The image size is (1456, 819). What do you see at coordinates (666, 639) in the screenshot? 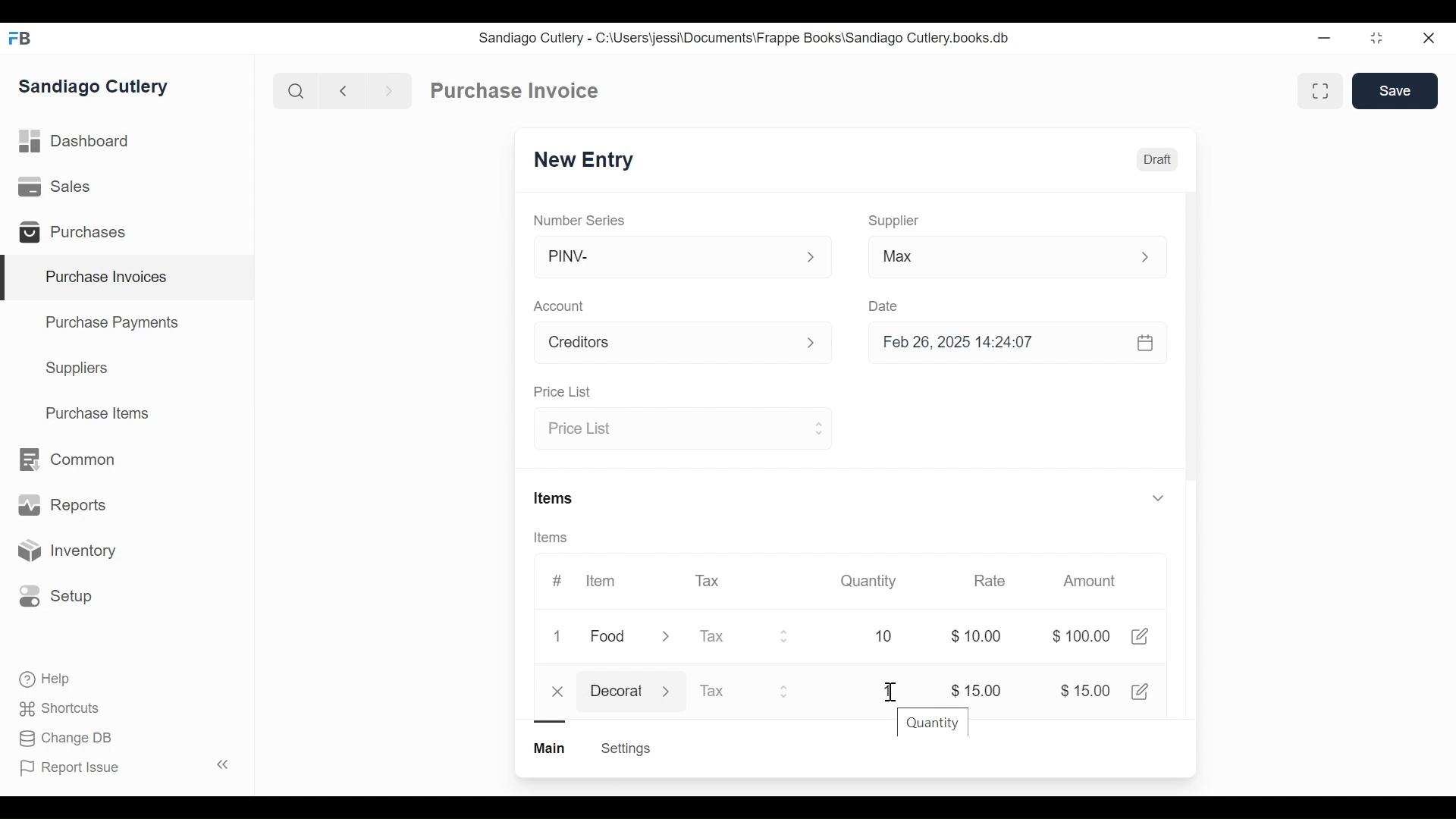
I see `Expand` at bounding box center [666, 639].